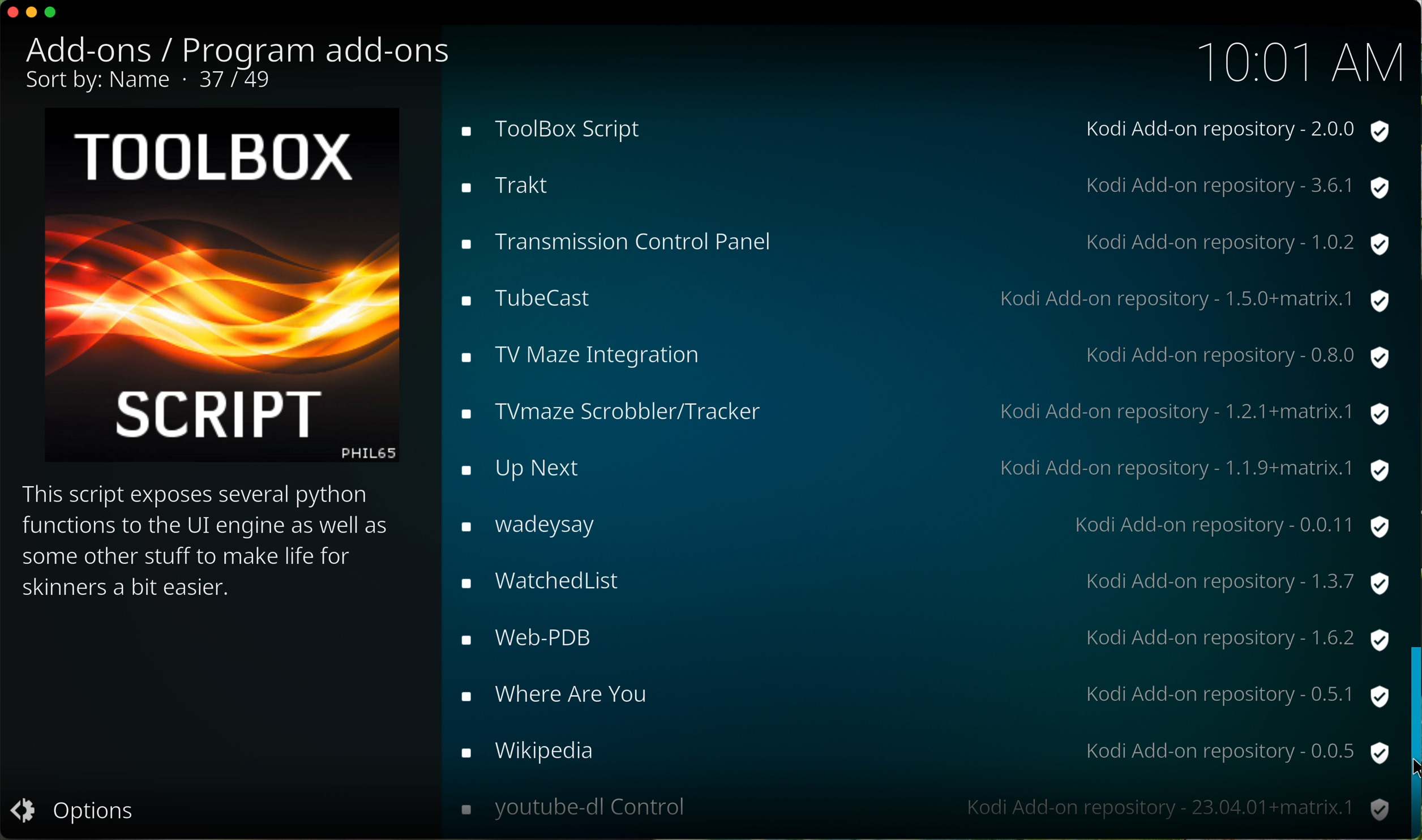  I want to click on up next, so click(923, 466).